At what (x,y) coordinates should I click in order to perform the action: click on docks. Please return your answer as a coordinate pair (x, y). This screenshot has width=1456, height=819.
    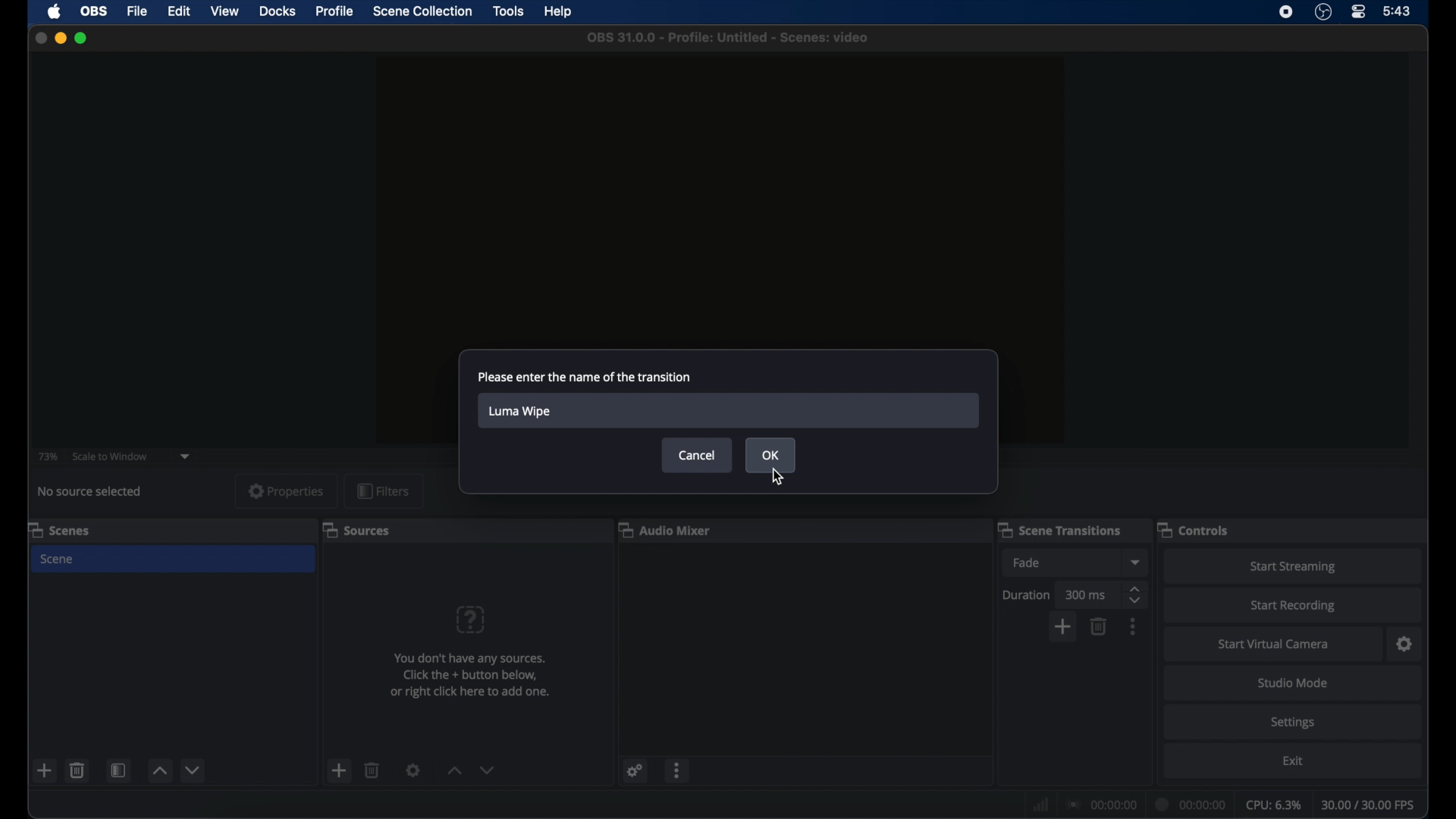
    Looking at the image, I should click on (278, 12).